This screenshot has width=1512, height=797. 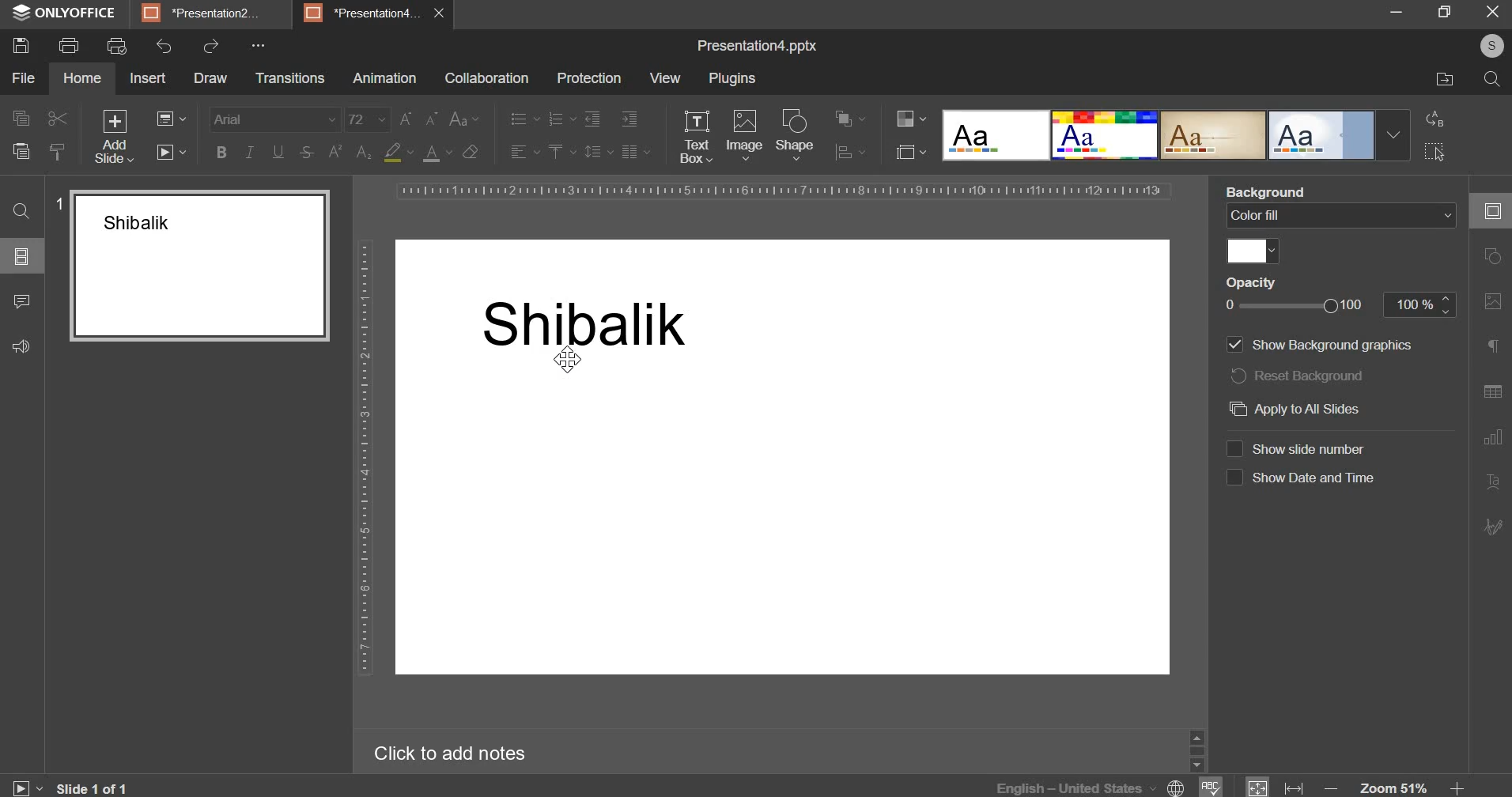 I want to click on file, so click(x=23, y=78).